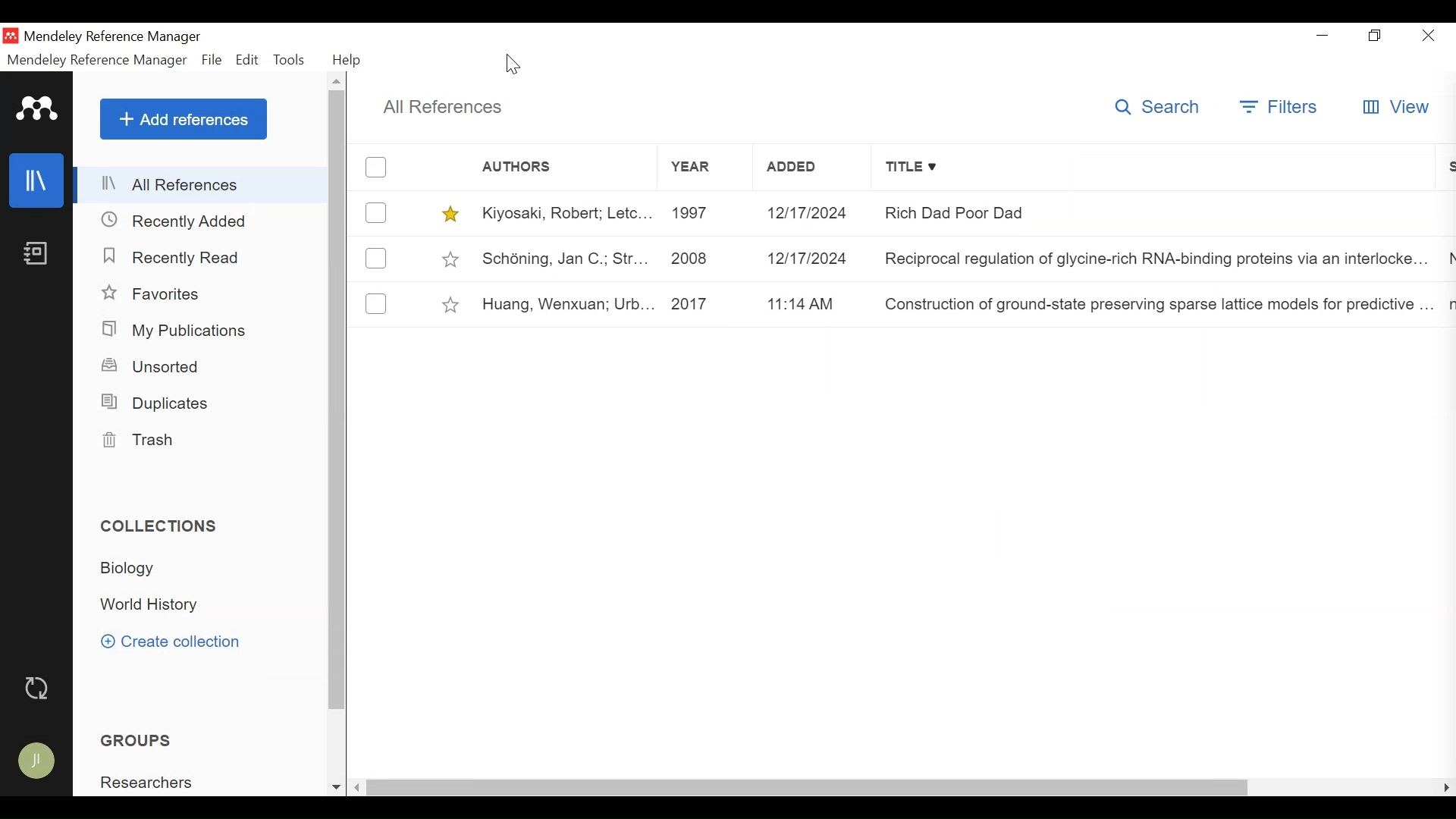  Describe the element at coordinates (149, 607) in the screenshot. I see `Collection` at that location.